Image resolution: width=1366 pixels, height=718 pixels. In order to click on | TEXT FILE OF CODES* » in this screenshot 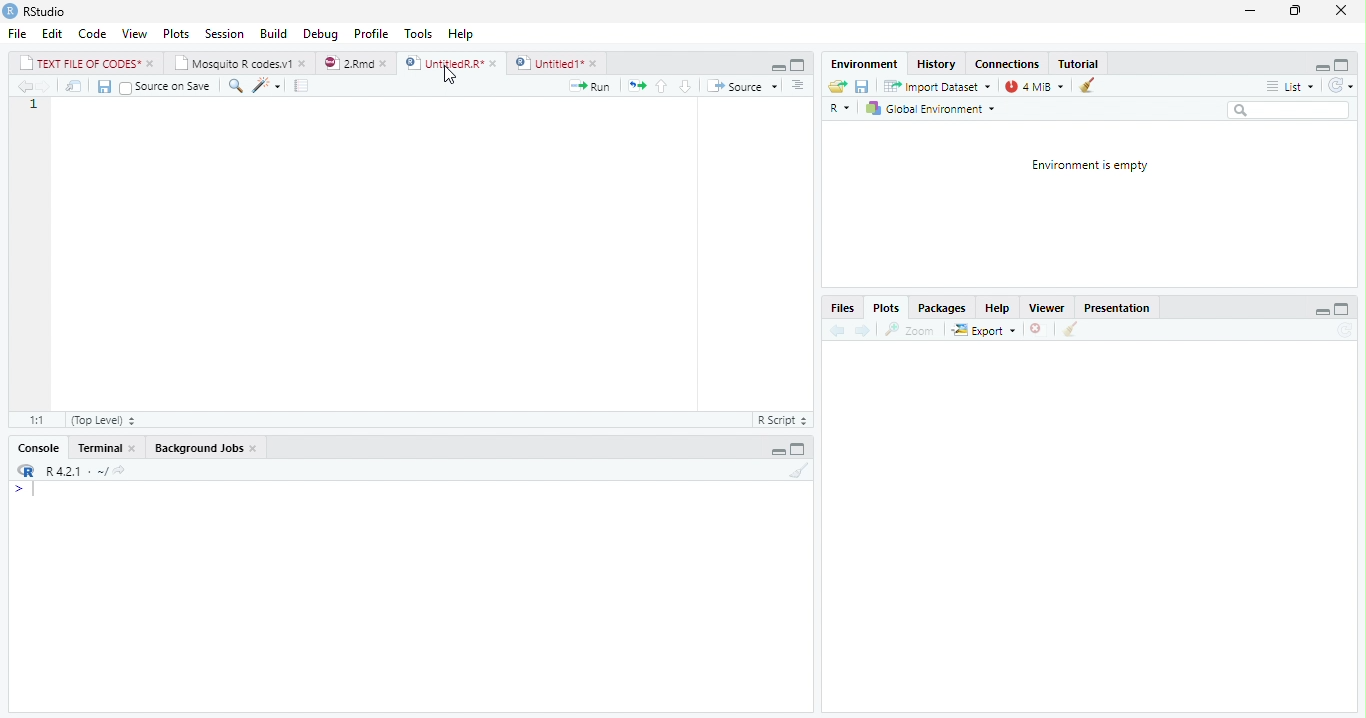, I will do `click(88, 63)`.